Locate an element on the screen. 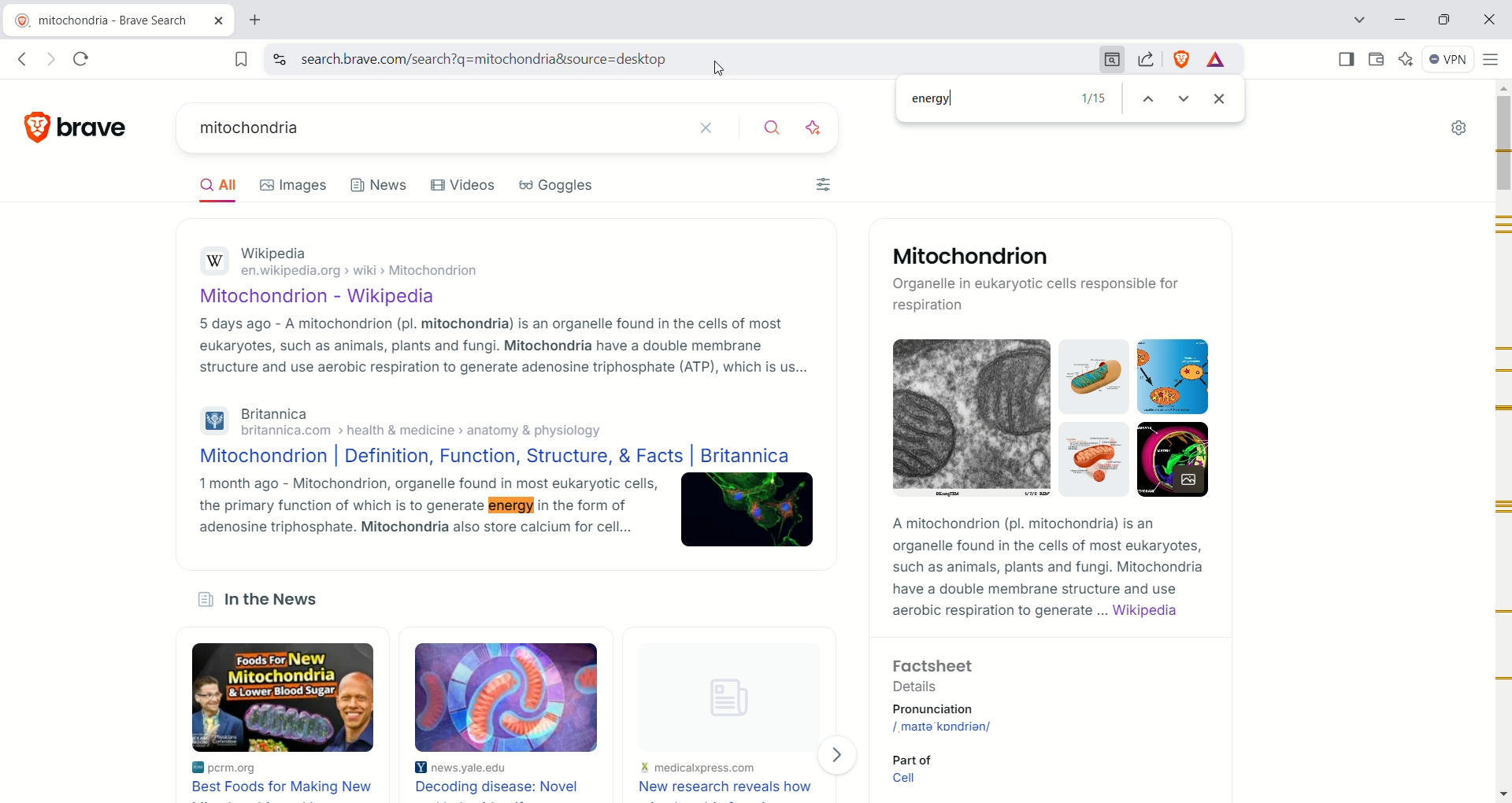 This screenshot has width=1512, height=803. Image is located at coordinates (1097, 459).